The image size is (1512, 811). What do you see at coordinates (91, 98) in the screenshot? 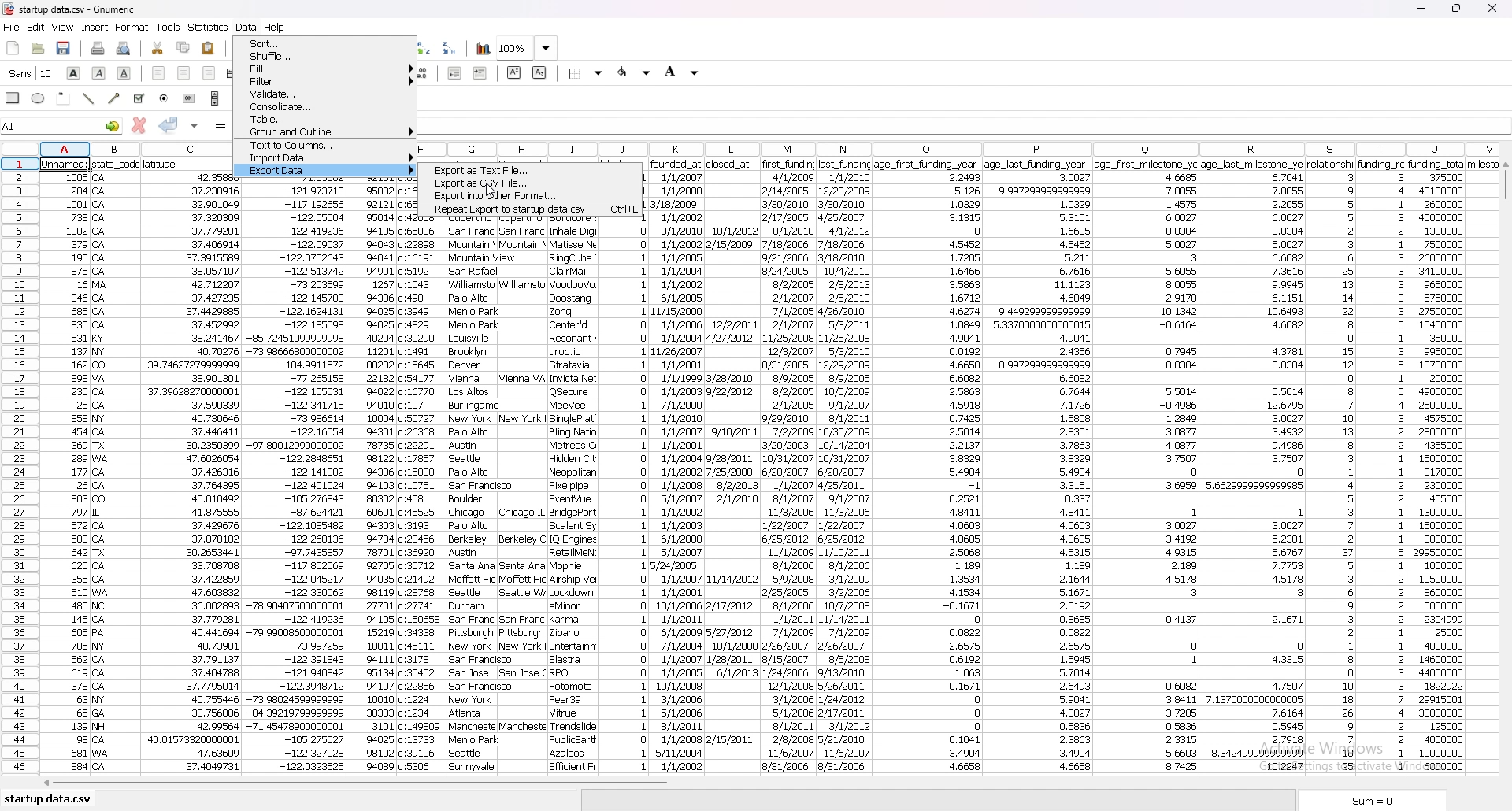
I see `line` at bounding box center [91, 98].